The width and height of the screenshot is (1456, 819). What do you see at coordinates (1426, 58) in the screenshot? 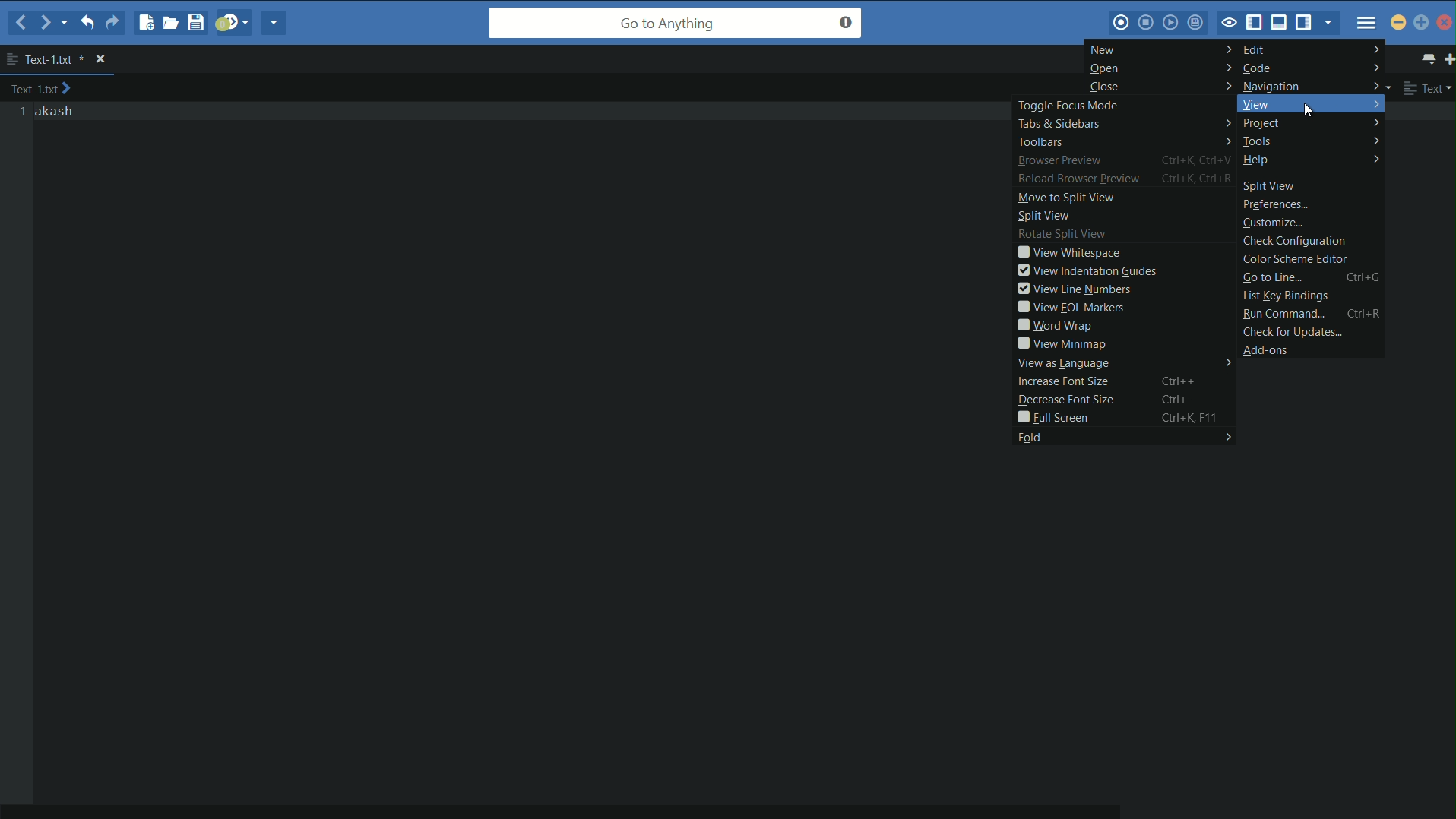
I see `show all tab` at bounding box center [1426, 58].